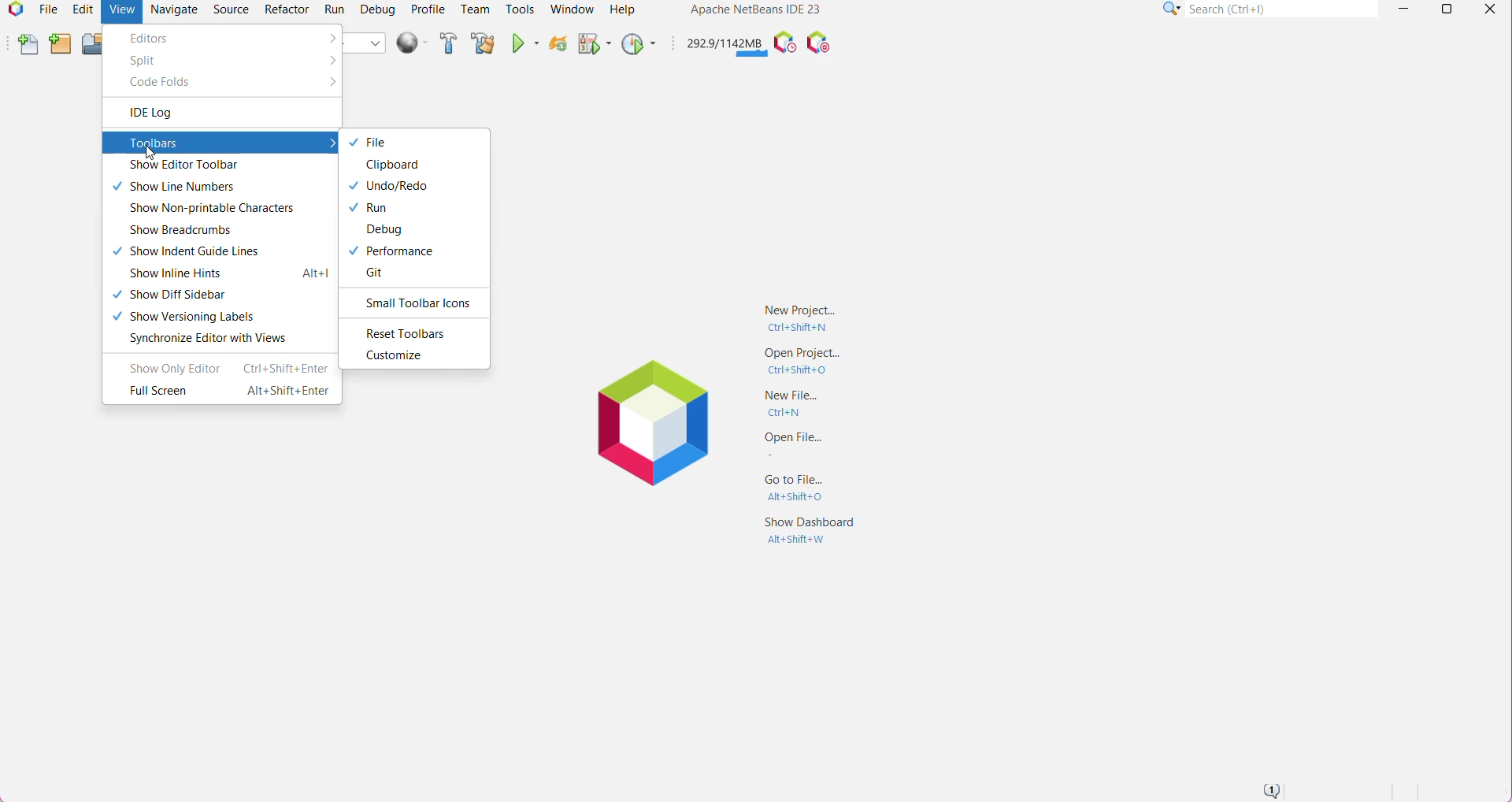 Image resolution: width=1512 pixels, height=802 pixels. What do you see at coordinates (447, 43) in the screenshot?
I see `Build Project` at bounding box center [447, 43].